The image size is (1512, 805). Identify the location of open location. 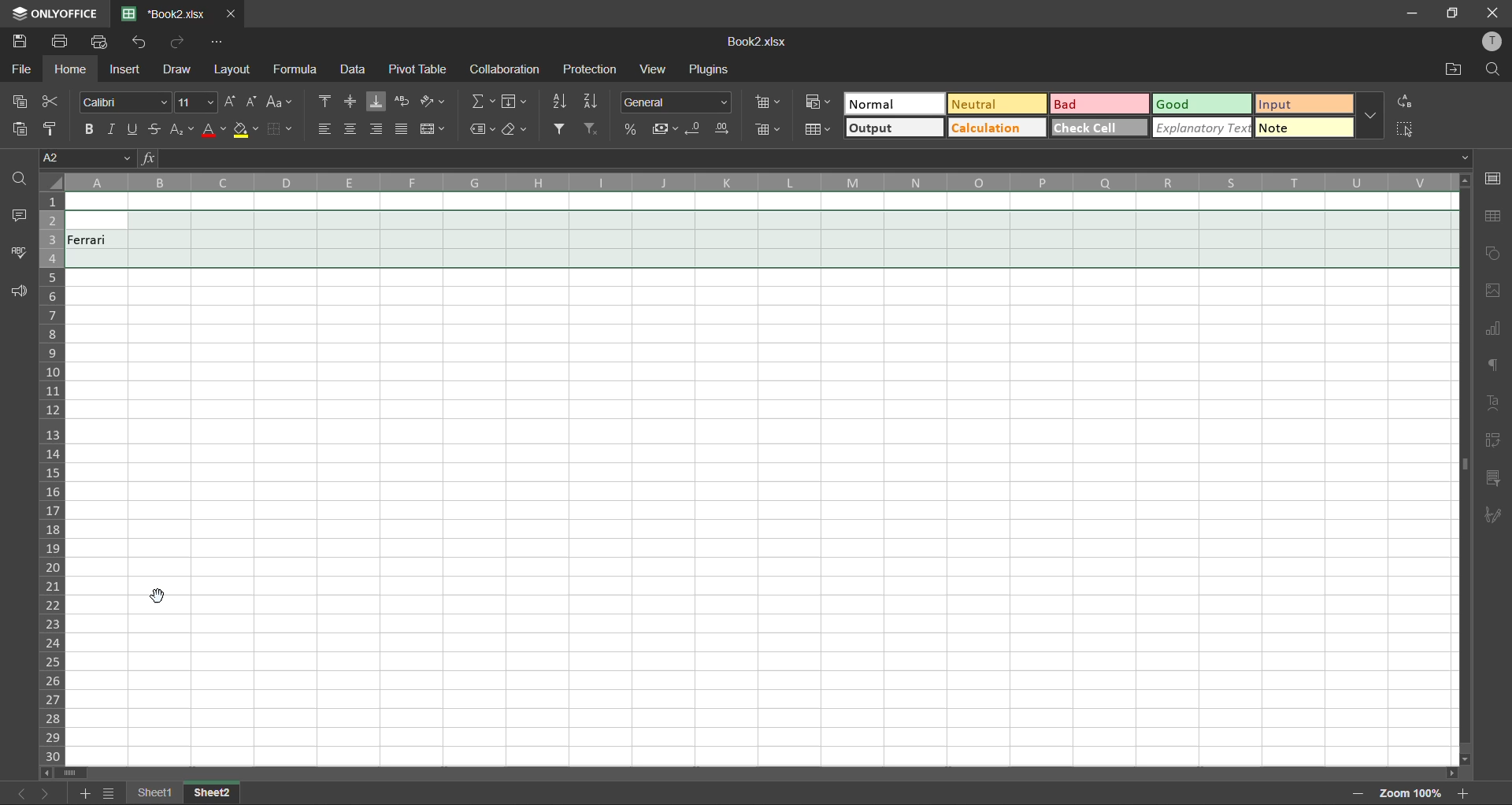
(1452, 69).